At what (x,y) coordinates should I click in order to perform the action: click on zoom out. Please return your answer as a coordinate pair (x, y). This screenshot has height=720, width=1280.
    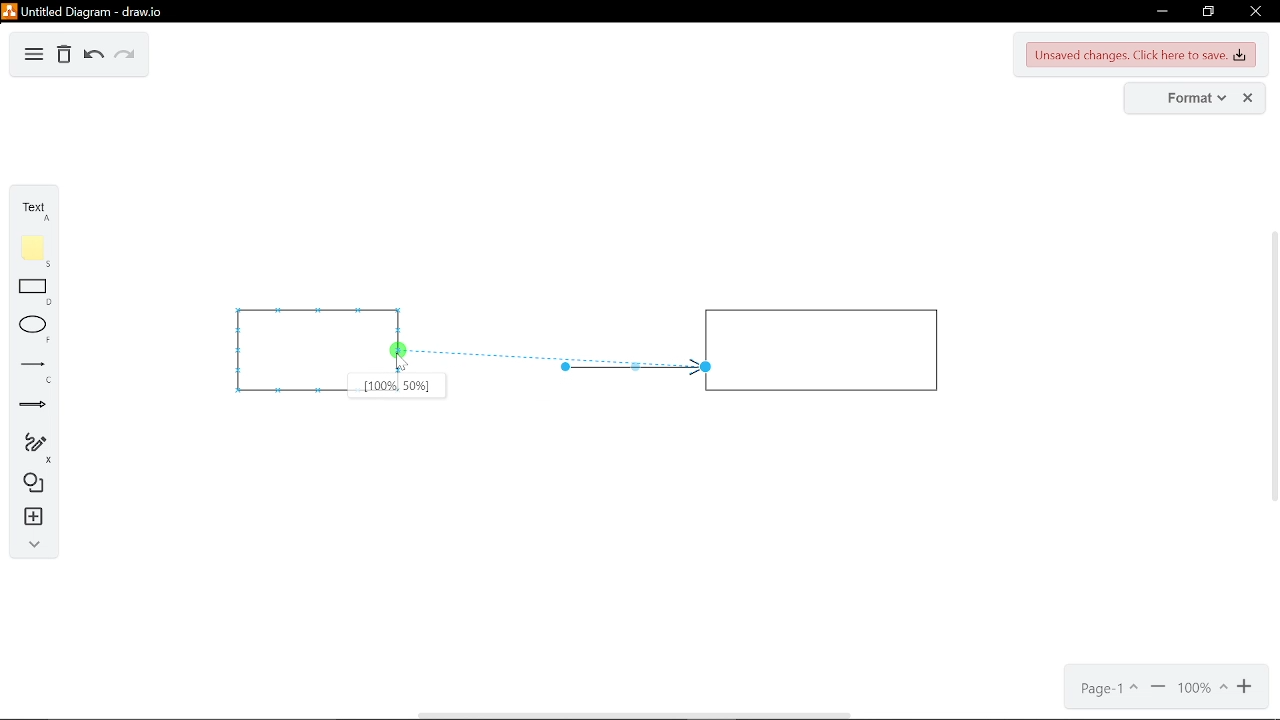
    Looking at the image, I should click on (1158, 691).